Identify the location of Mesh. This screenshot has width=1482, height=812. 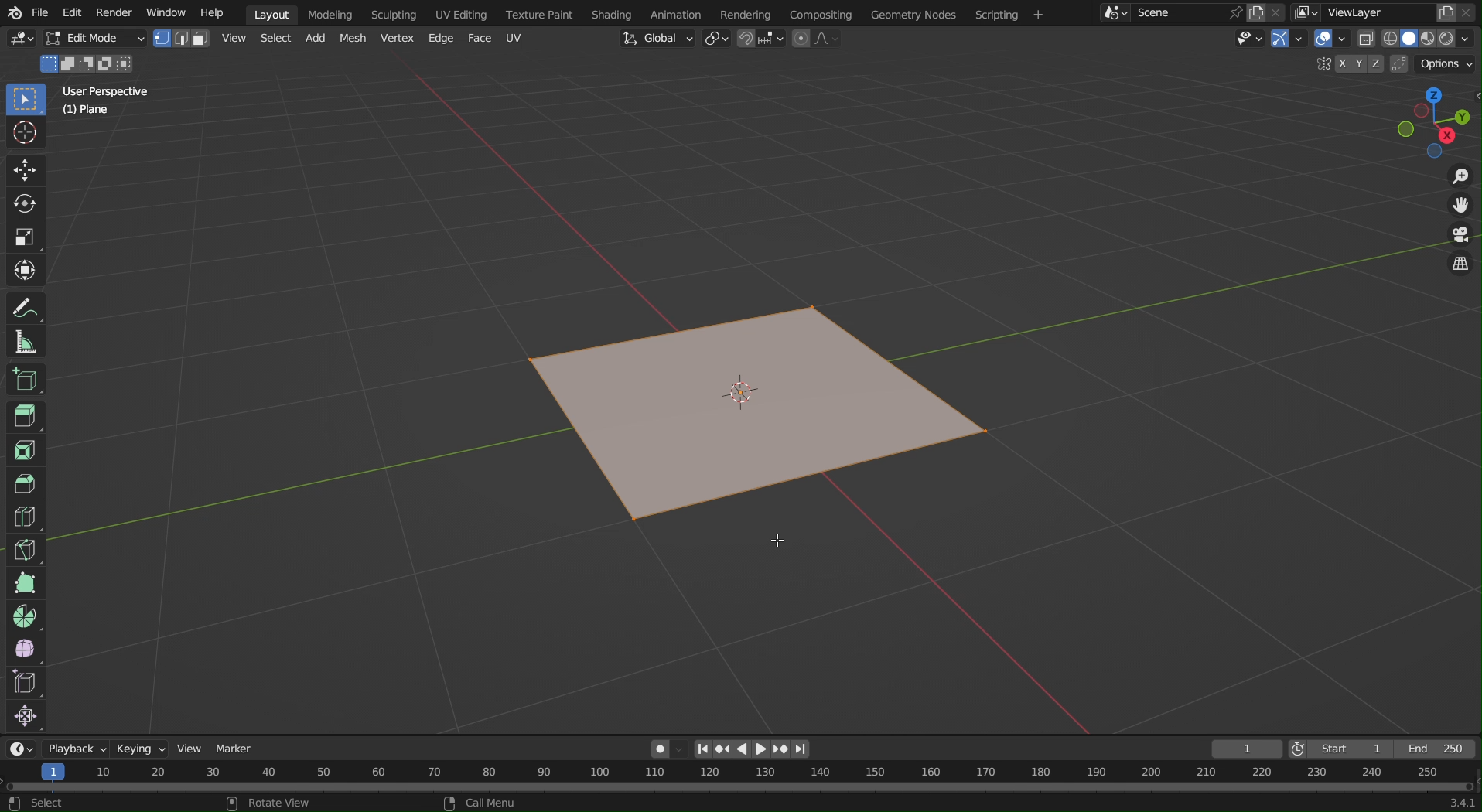
(353, 39).